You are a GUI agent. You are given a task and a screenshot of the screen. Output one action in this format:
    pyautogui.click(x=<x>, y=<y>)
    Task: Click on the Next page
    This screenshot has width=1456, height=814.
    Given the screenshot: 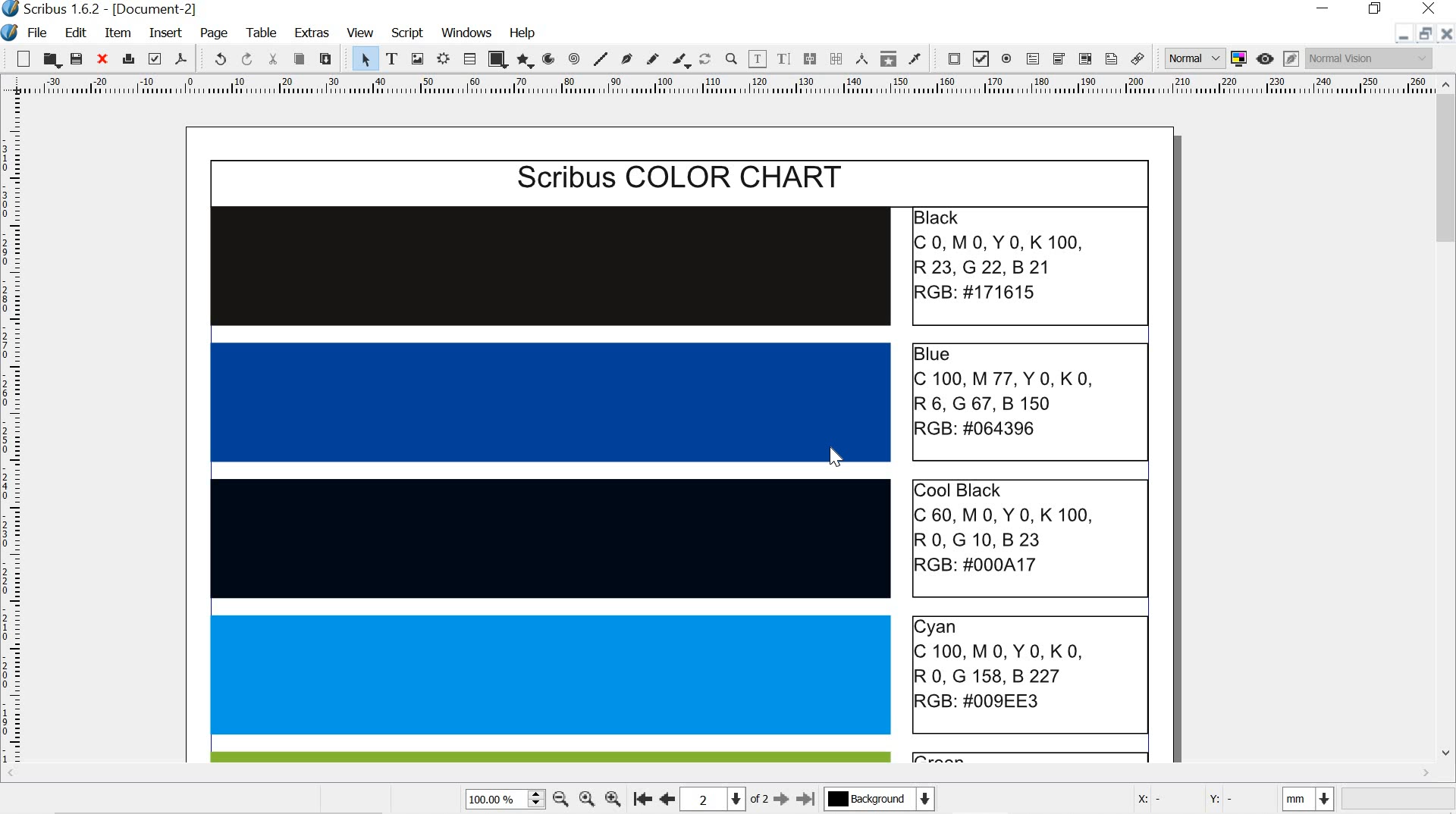 What is the action you would take?
    pyautogui.click(x=780, y=800)
    